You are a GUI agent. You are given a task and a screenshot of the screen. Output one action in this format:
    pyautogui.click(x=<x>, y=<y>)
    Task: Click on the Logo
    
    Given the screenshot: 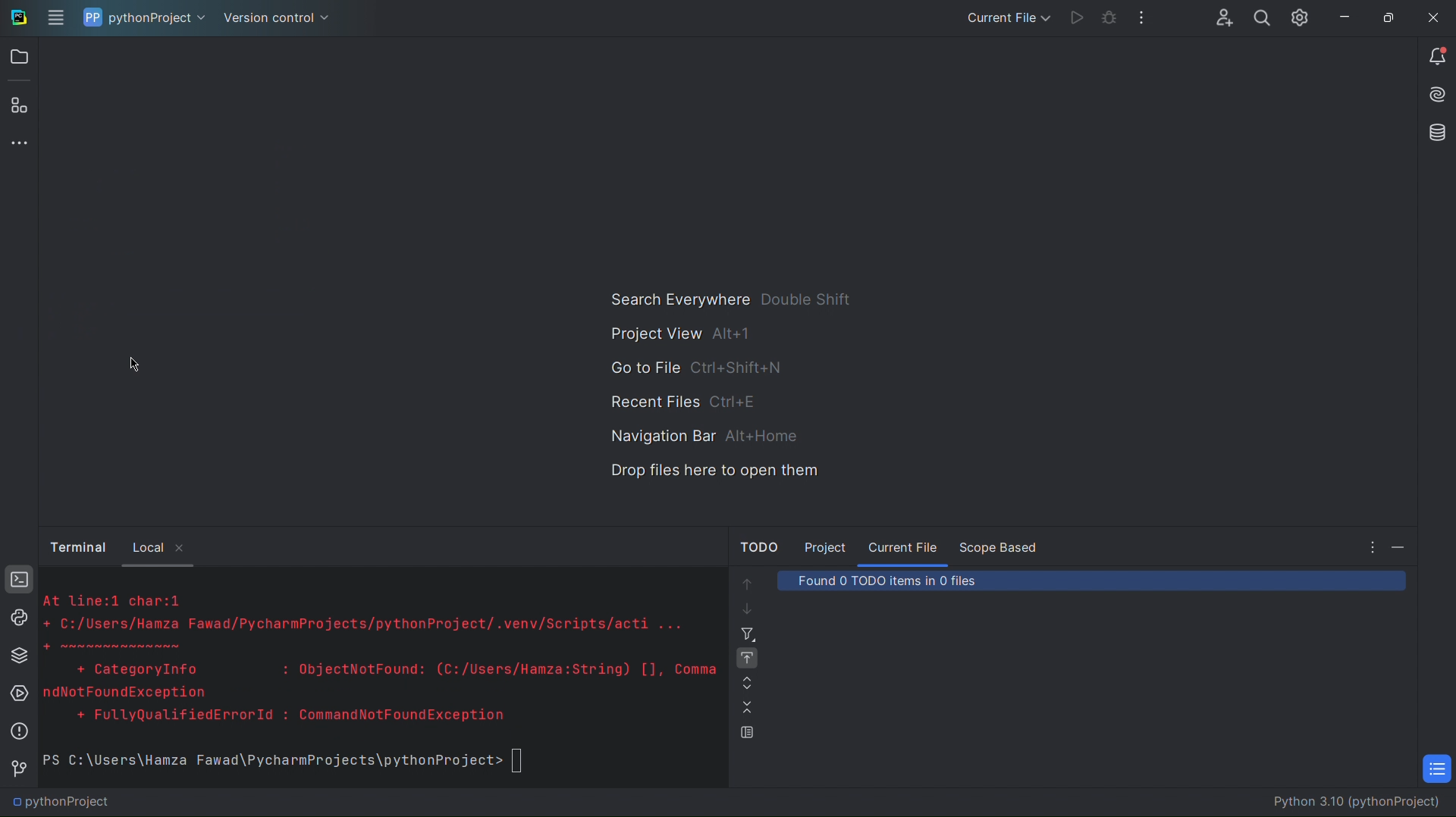 What is the action you would take?
    pyautogui.click(x=21, y=17)
    